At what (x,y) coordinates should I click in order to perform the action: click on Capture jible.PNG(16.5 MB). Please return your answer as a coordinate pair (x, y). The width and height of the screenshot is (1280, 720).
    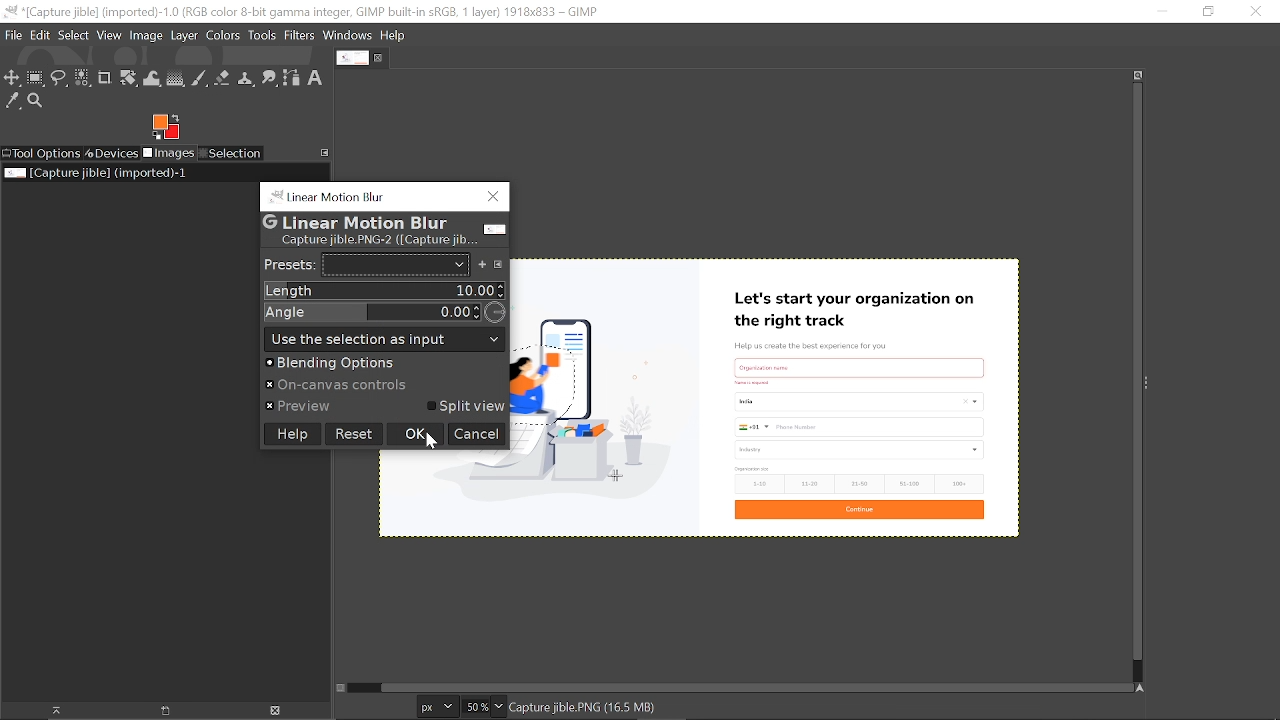
    Looking at the image, I should click on (583, 709).